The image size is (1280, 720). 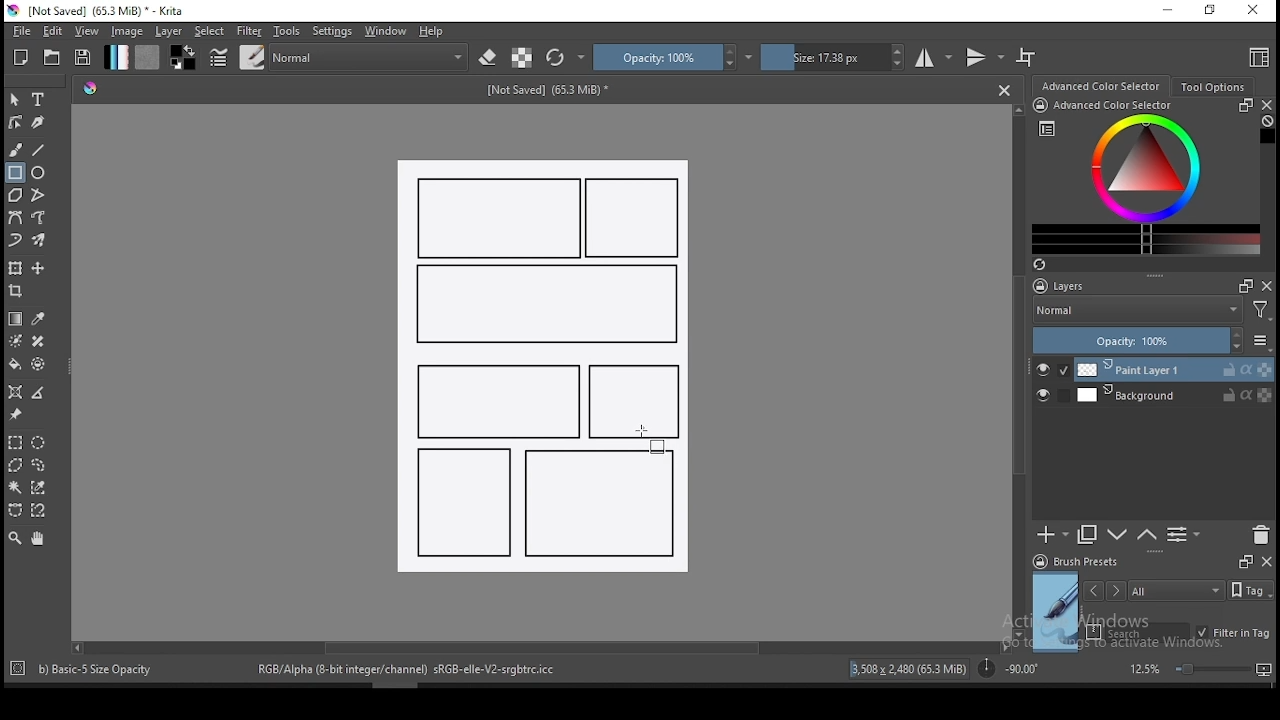 What do you see at coordinates (1047, 266) in the screenshot?
I see `Refresh` at bounding box center [1047, 266].